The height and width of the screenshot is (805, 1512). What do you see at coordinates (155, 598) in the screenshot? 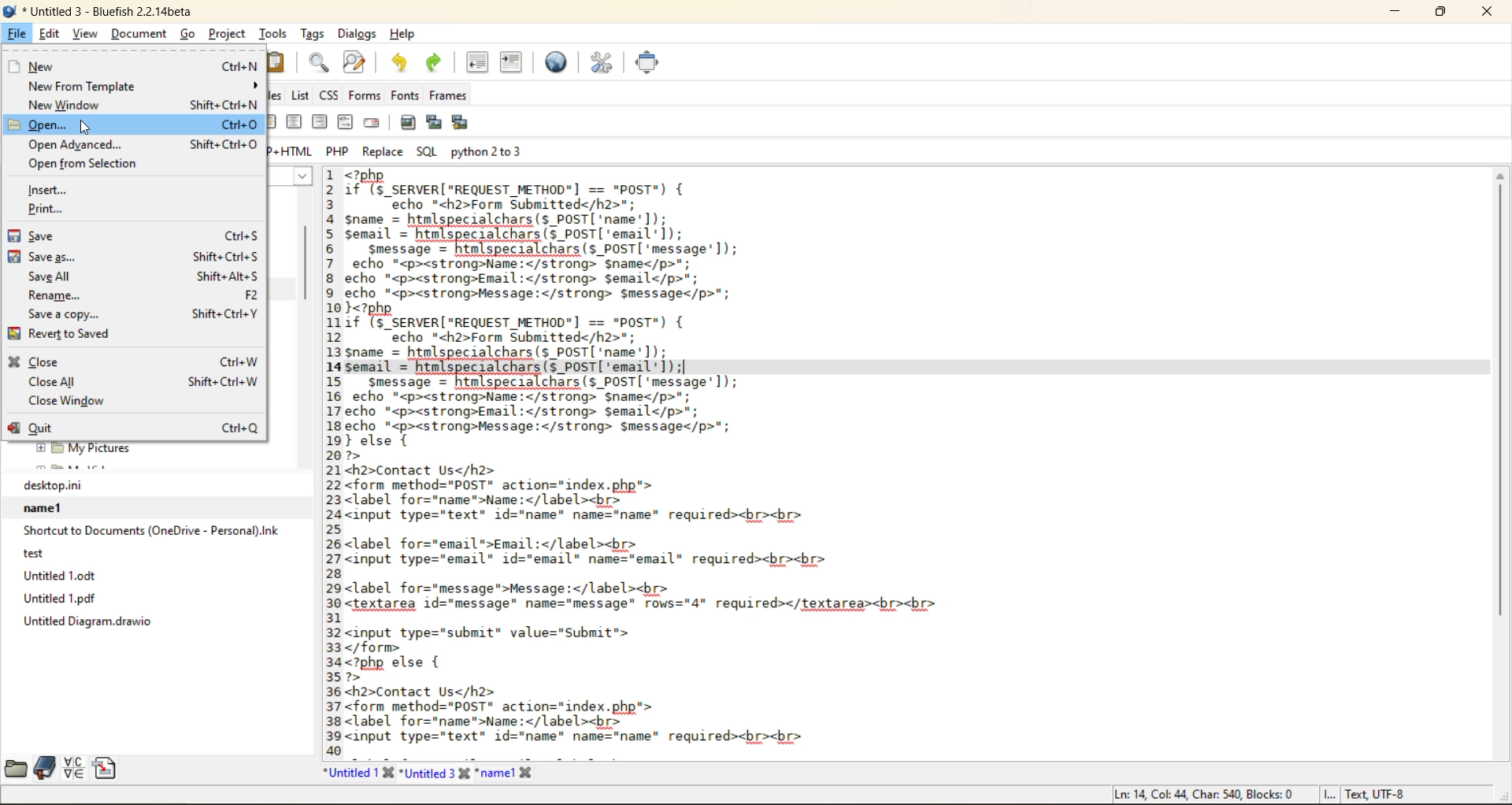
I see `Untitled 1.pdf` at bounding box center [155, 598].